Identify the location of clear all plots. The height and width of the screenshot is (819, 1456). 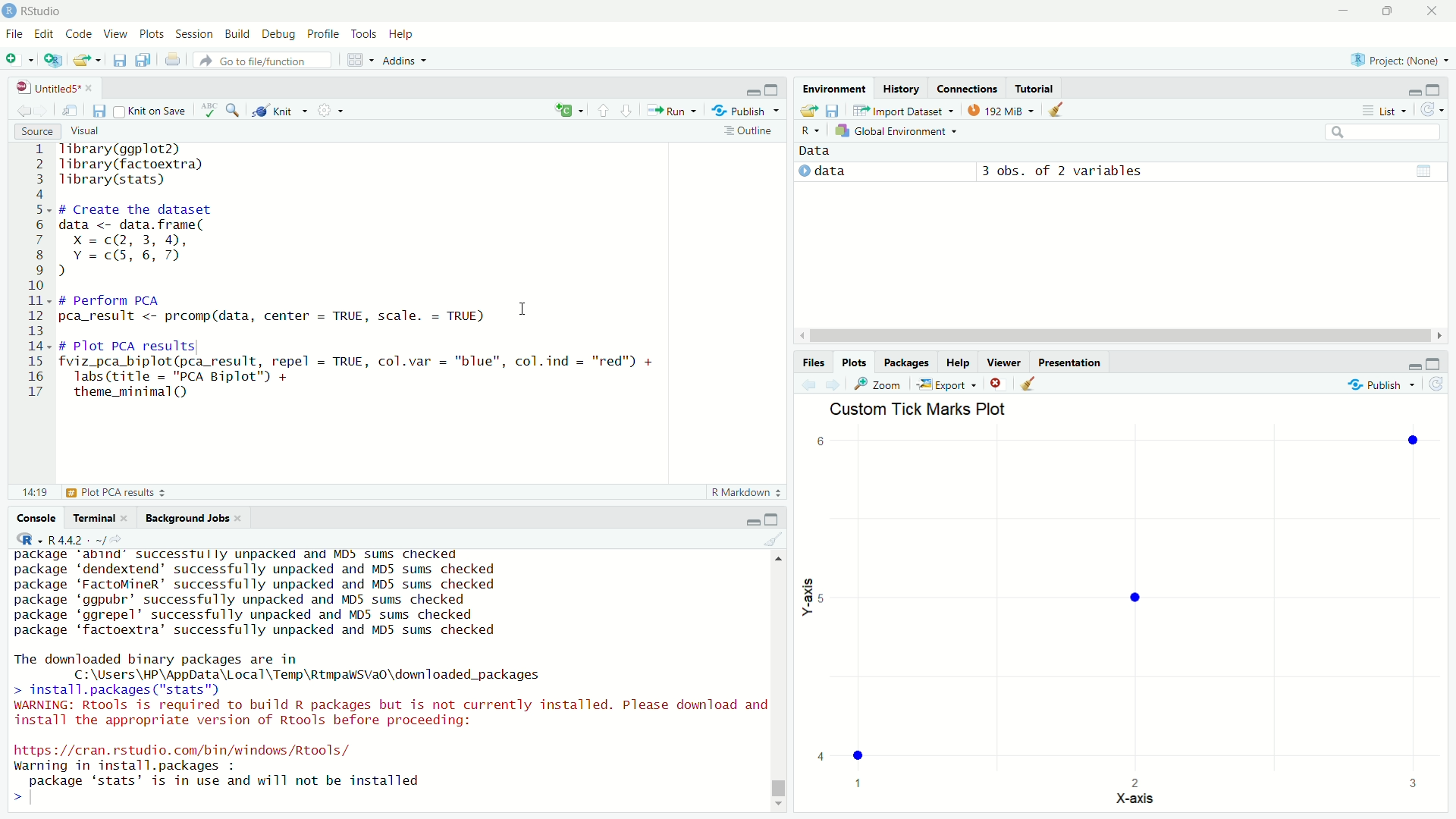
(1029, 383).